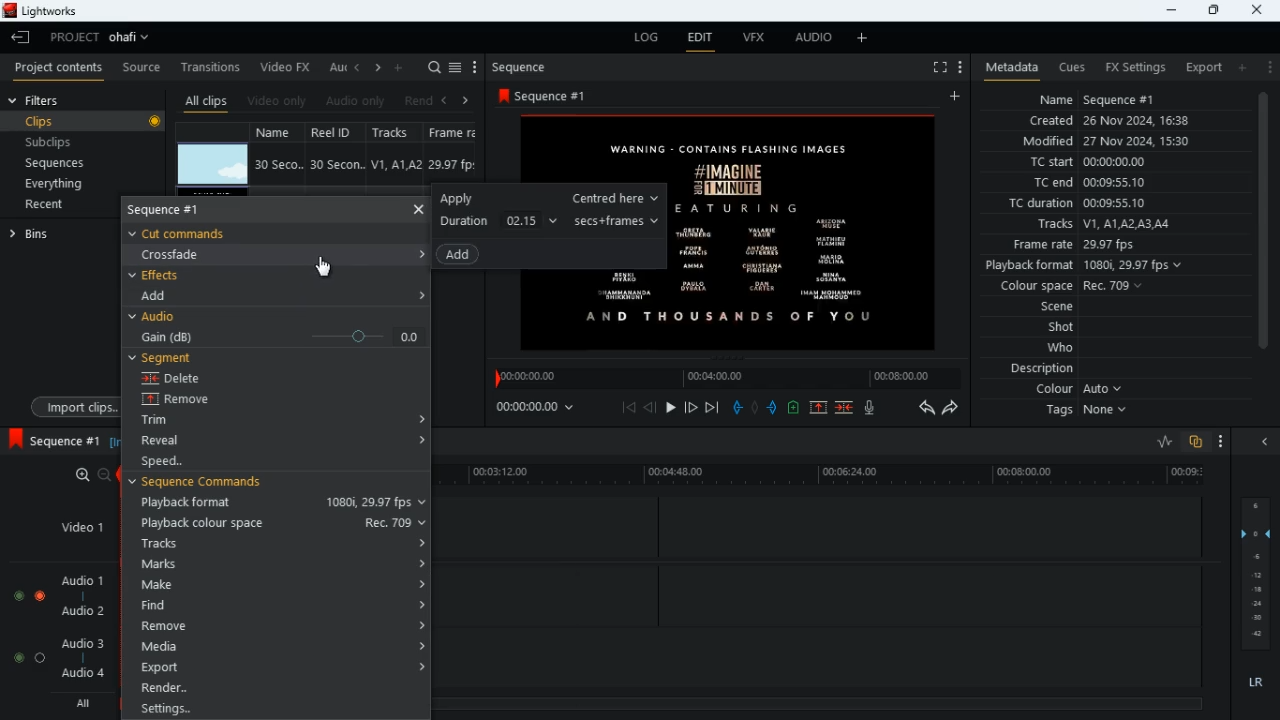 This screenshot has width=1280, height=720. Describe the element at coordinates (282, 523) in the screenshot. I see `playback colour space` at that location.